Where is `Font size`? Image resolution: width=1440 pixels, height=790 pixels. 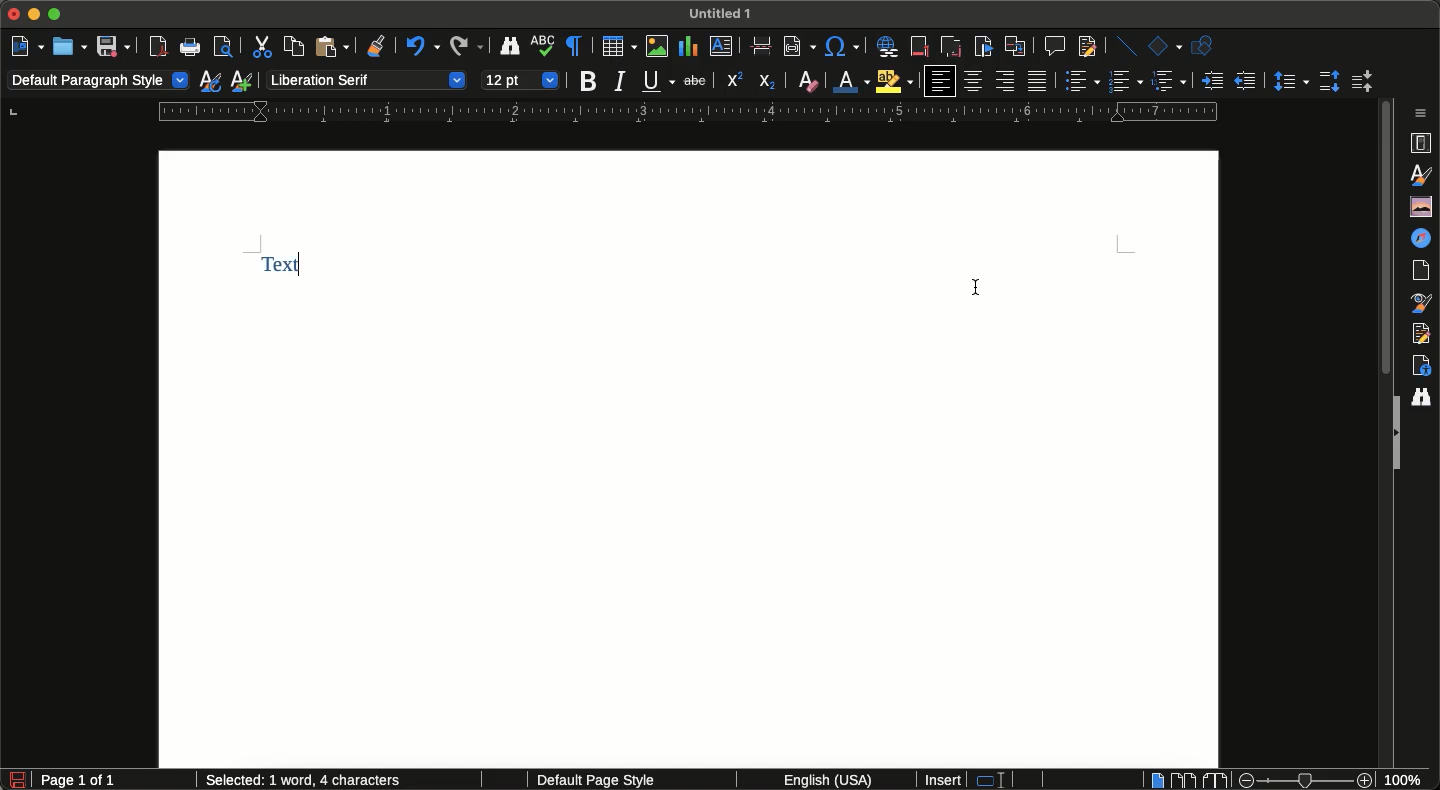
Font size is located at coordinates (521, 78).